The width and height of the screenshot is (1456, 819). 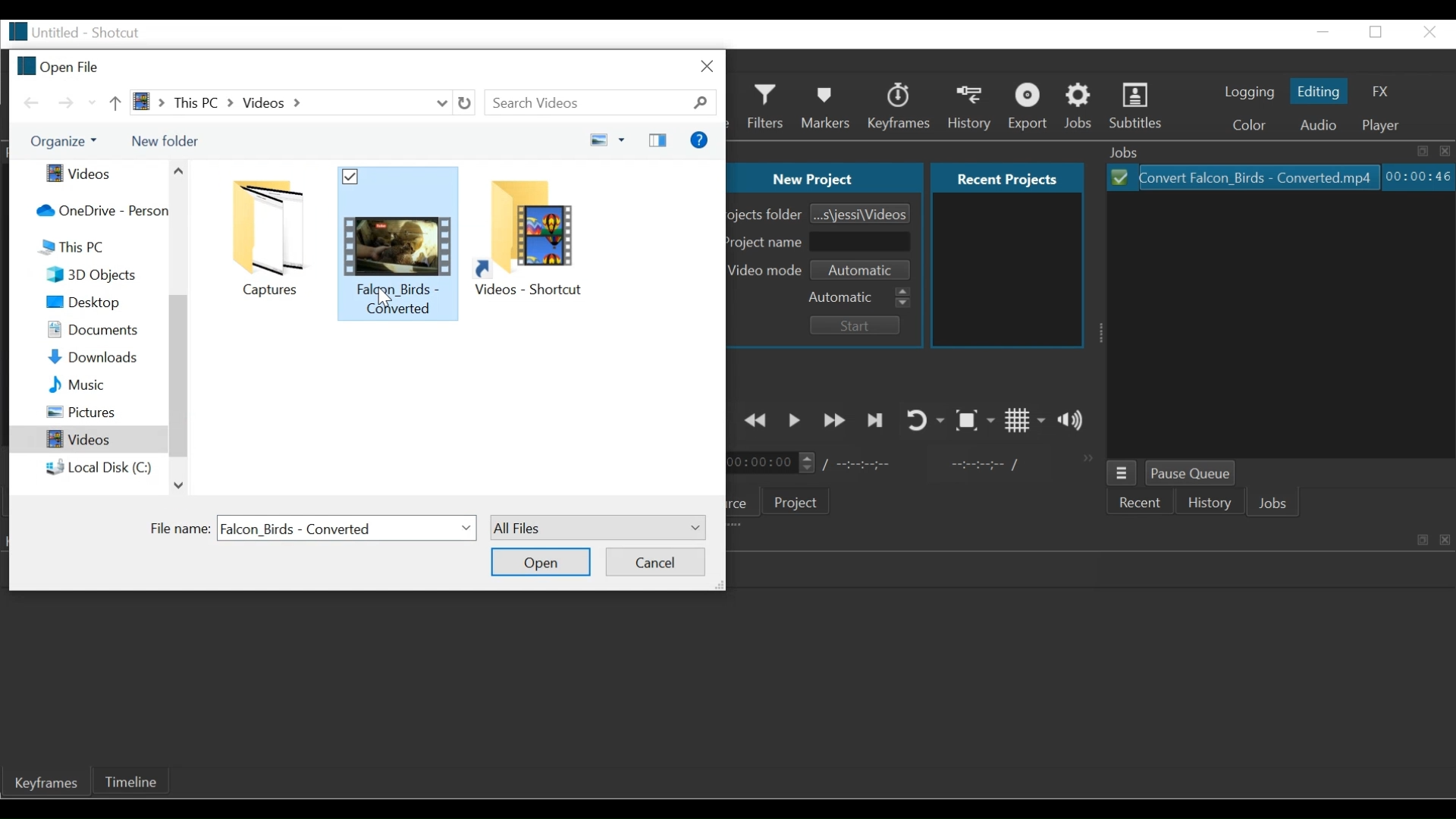 I want to click on Videos, so click(x=99, y=175).